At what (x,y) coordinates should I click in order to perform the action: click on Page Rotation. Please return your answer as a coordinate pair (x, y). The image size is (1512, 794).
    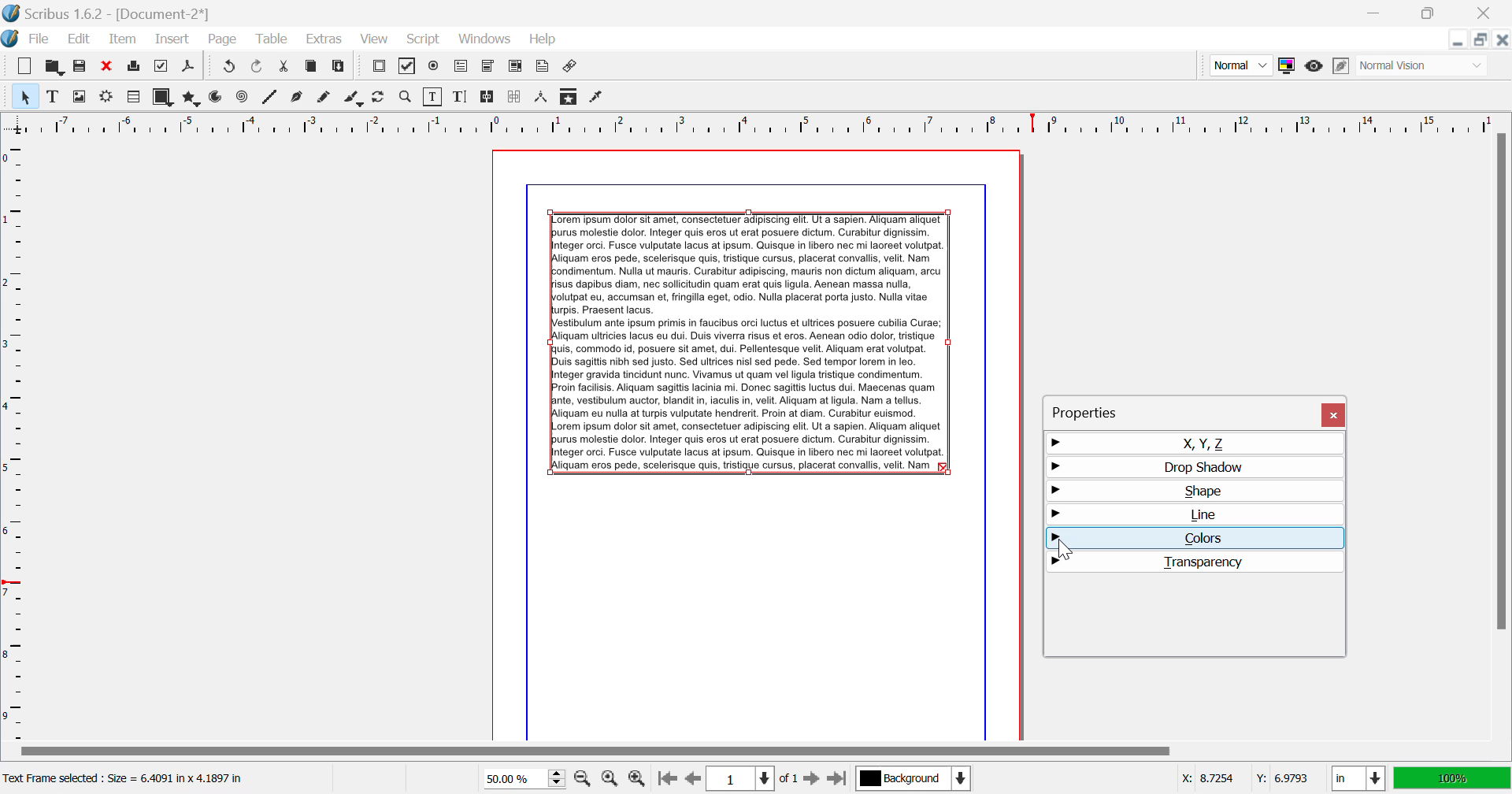
    Looking at the image, I should click on (382, 98).